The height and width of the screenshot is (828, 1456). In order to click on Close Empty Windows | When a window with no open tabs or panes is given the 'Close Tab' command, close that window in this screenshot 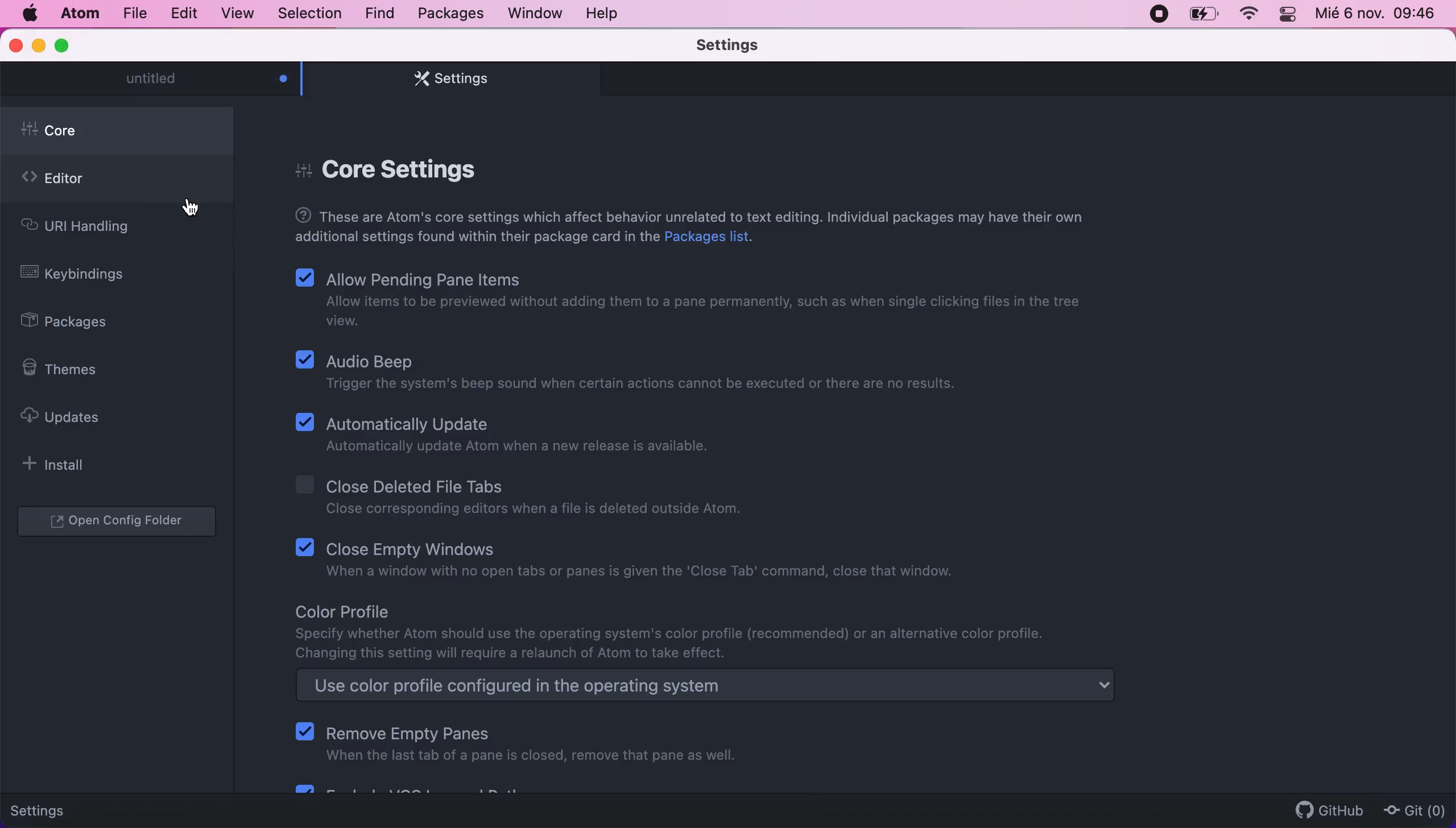, I will do `click(633, 561)`.